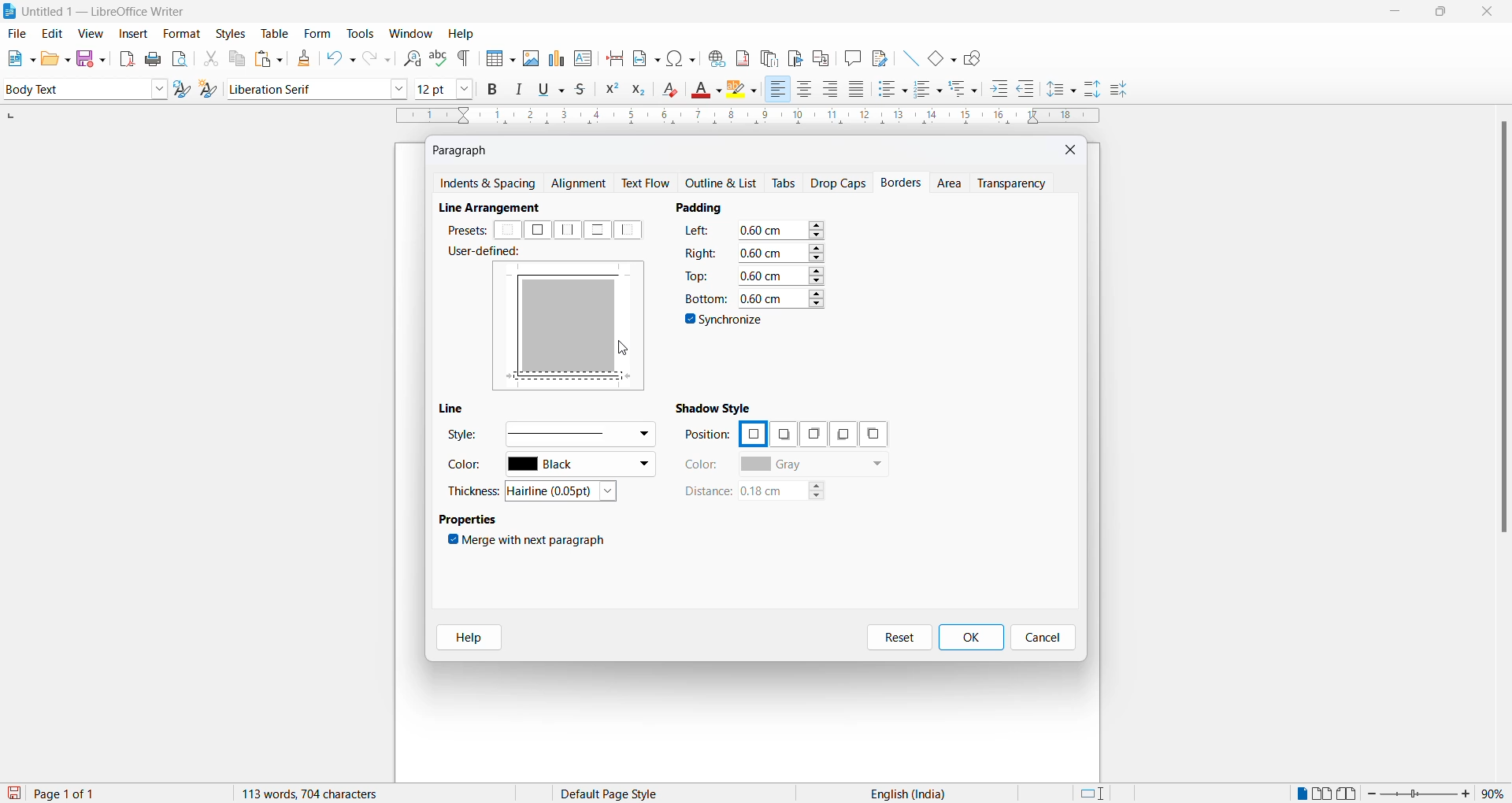 The width and height of the screenshot is (1512, 803). I want to click on update selected style, so click(185, 90).